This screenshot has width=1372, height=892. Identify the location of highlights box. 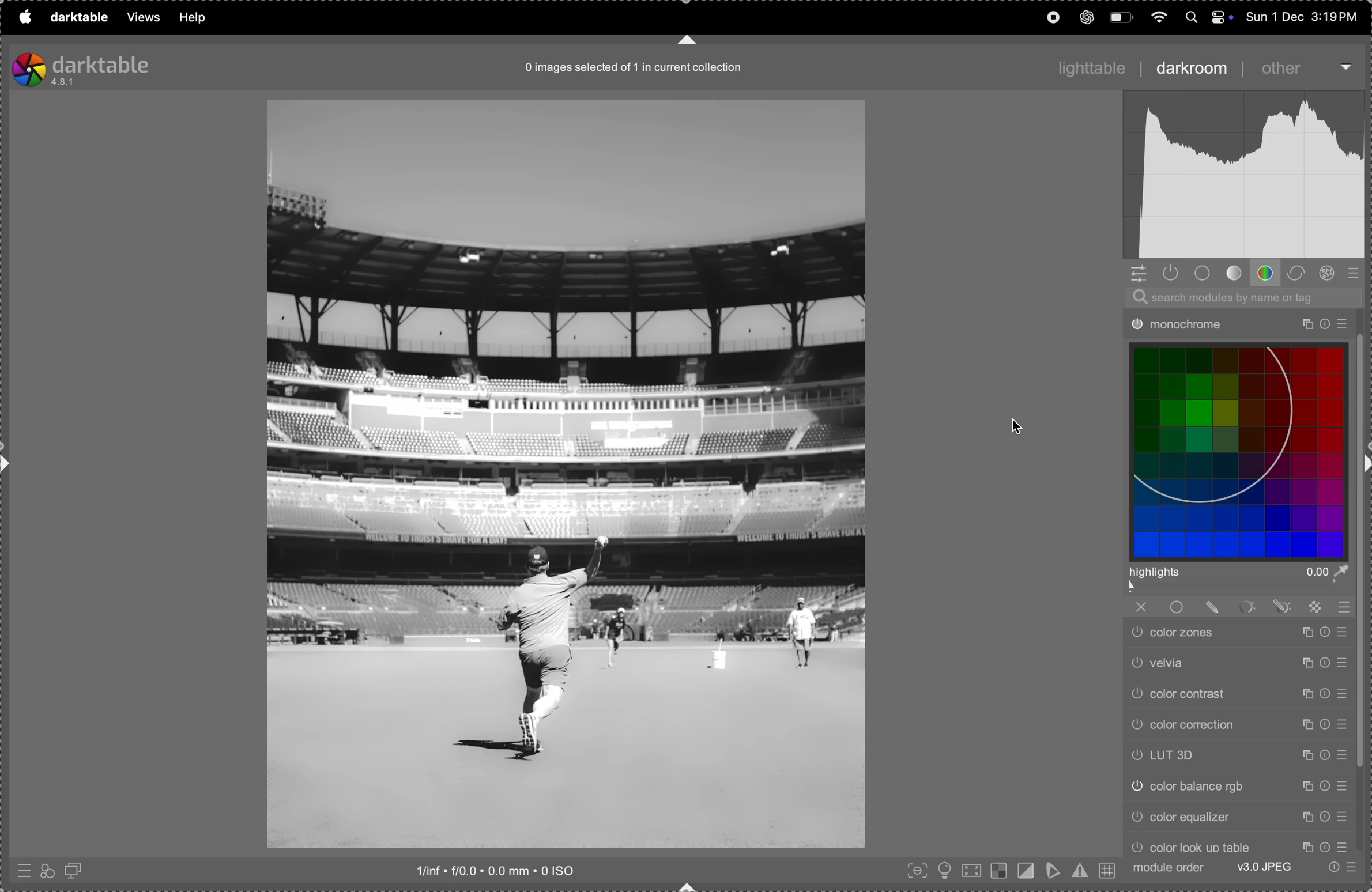
(1242, 581).